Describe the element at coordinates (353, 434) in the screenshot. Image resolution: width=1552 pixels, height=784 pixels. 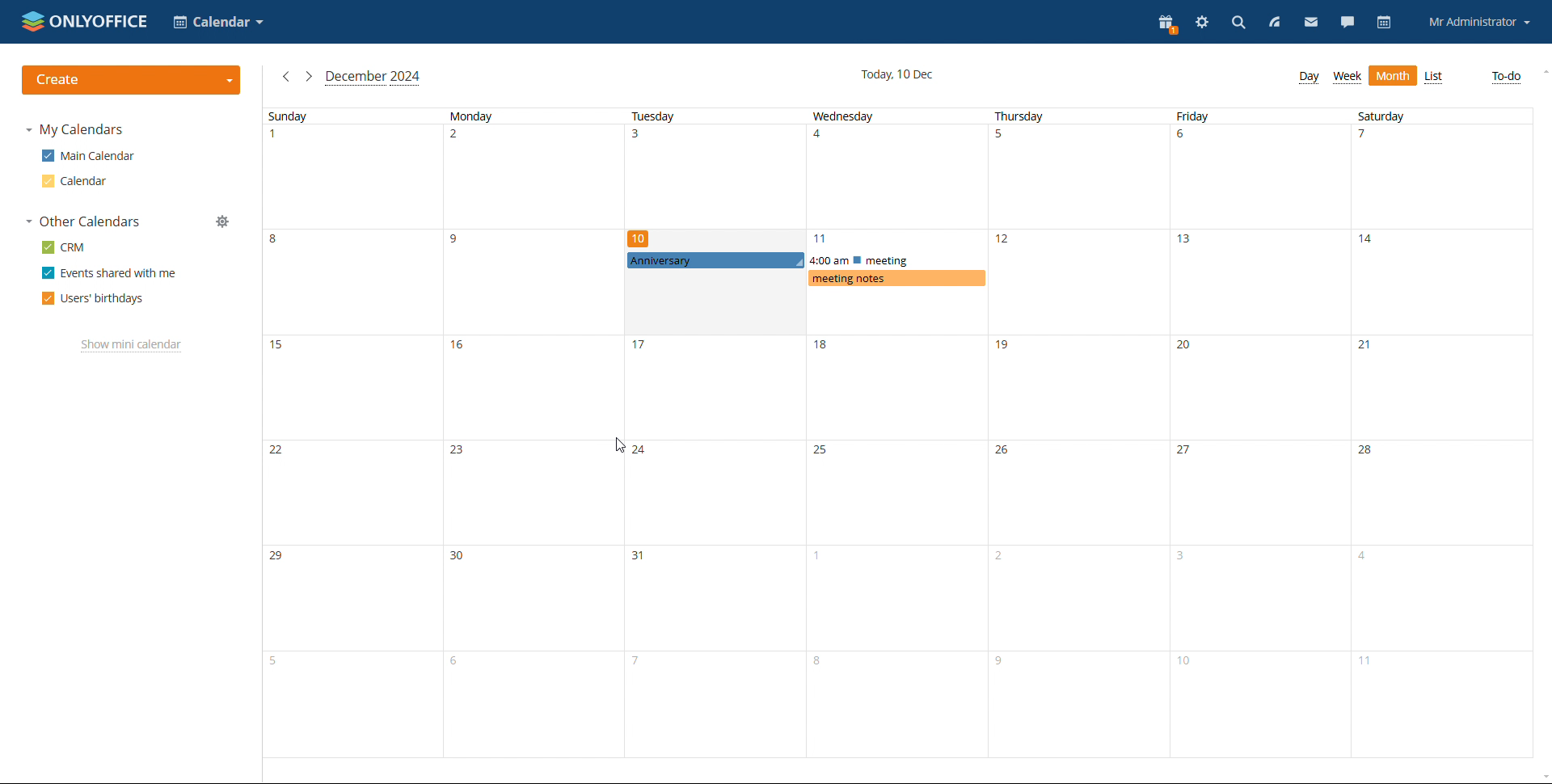
I see `sunday` at that location.